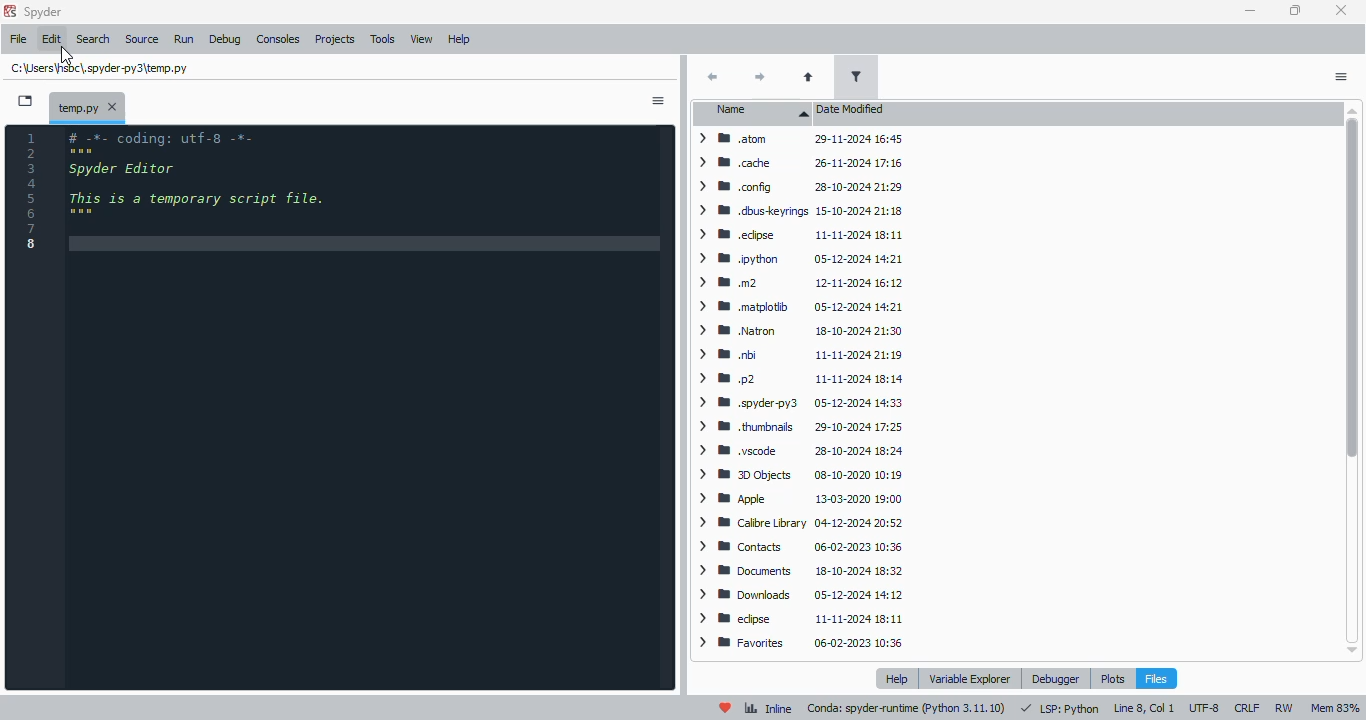 This screenshot has width=1366, height=720. Describe the element at coordinates (756, 112) in the screenshot. I see `name` at that location.